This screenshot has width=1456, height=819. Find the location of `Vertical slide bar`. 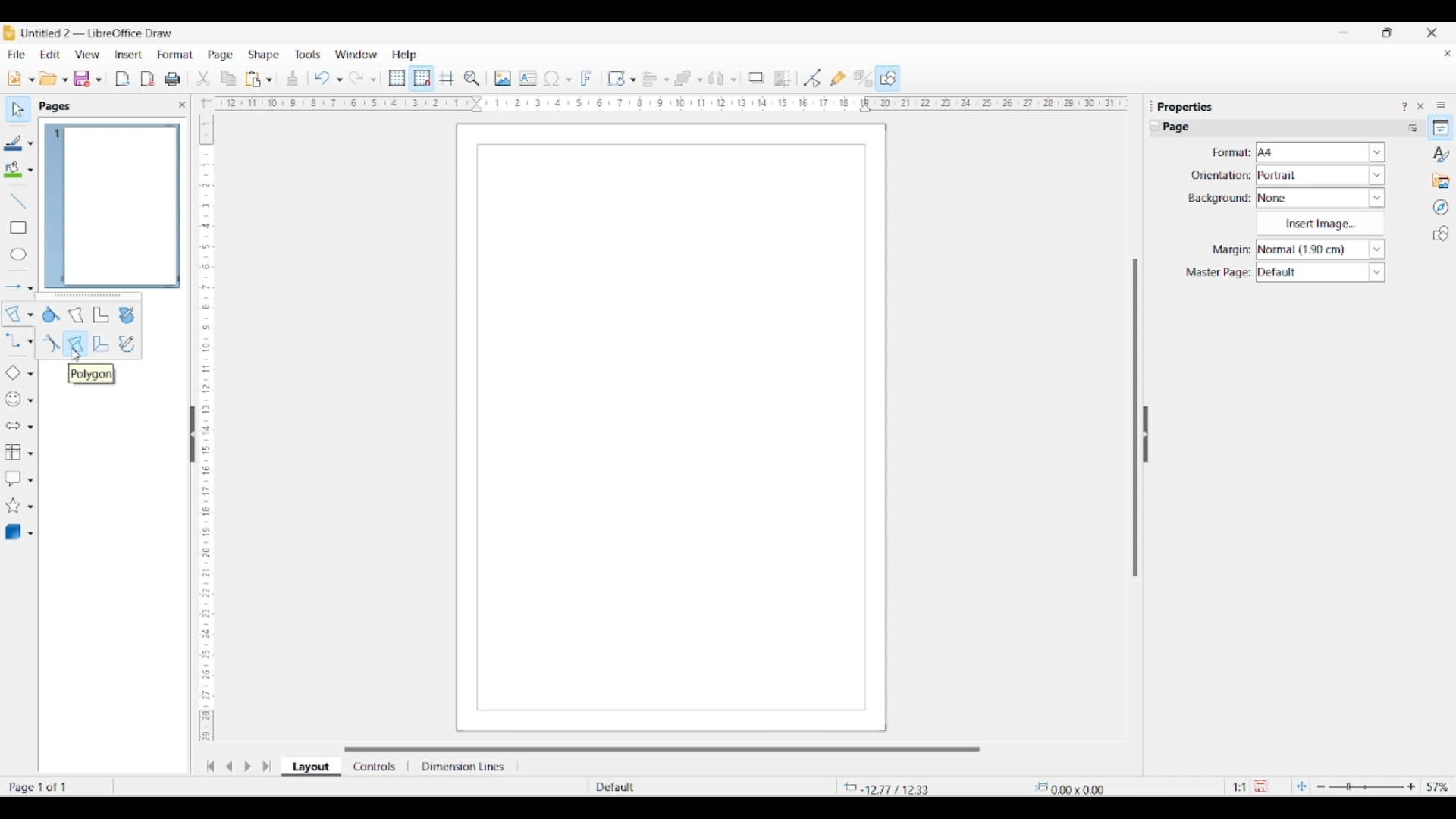

Vertical slide bar is located at coordinates (1135, 418).